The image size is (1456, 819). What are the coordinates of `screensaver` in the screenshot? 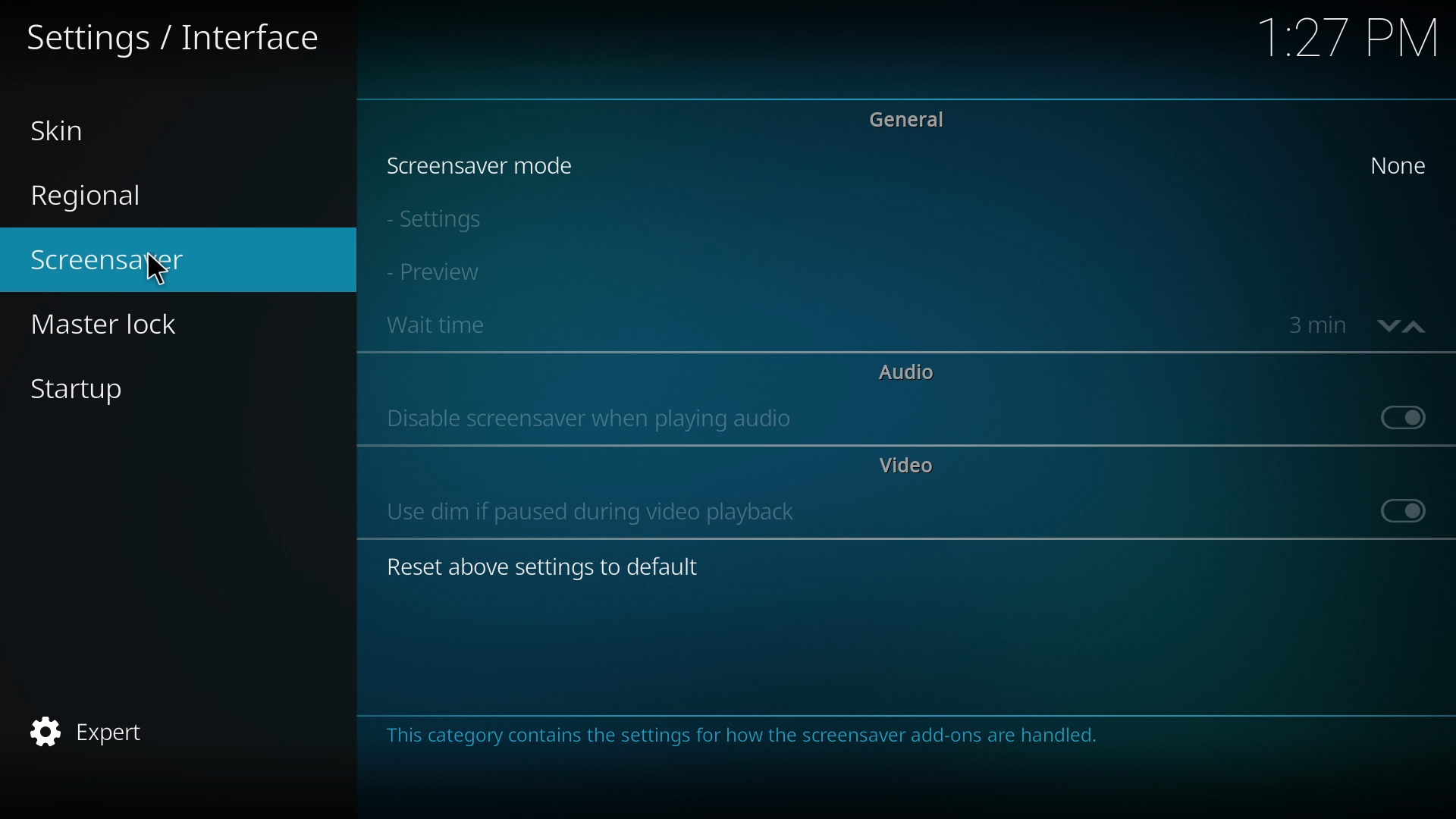 It's located at (148, 260).